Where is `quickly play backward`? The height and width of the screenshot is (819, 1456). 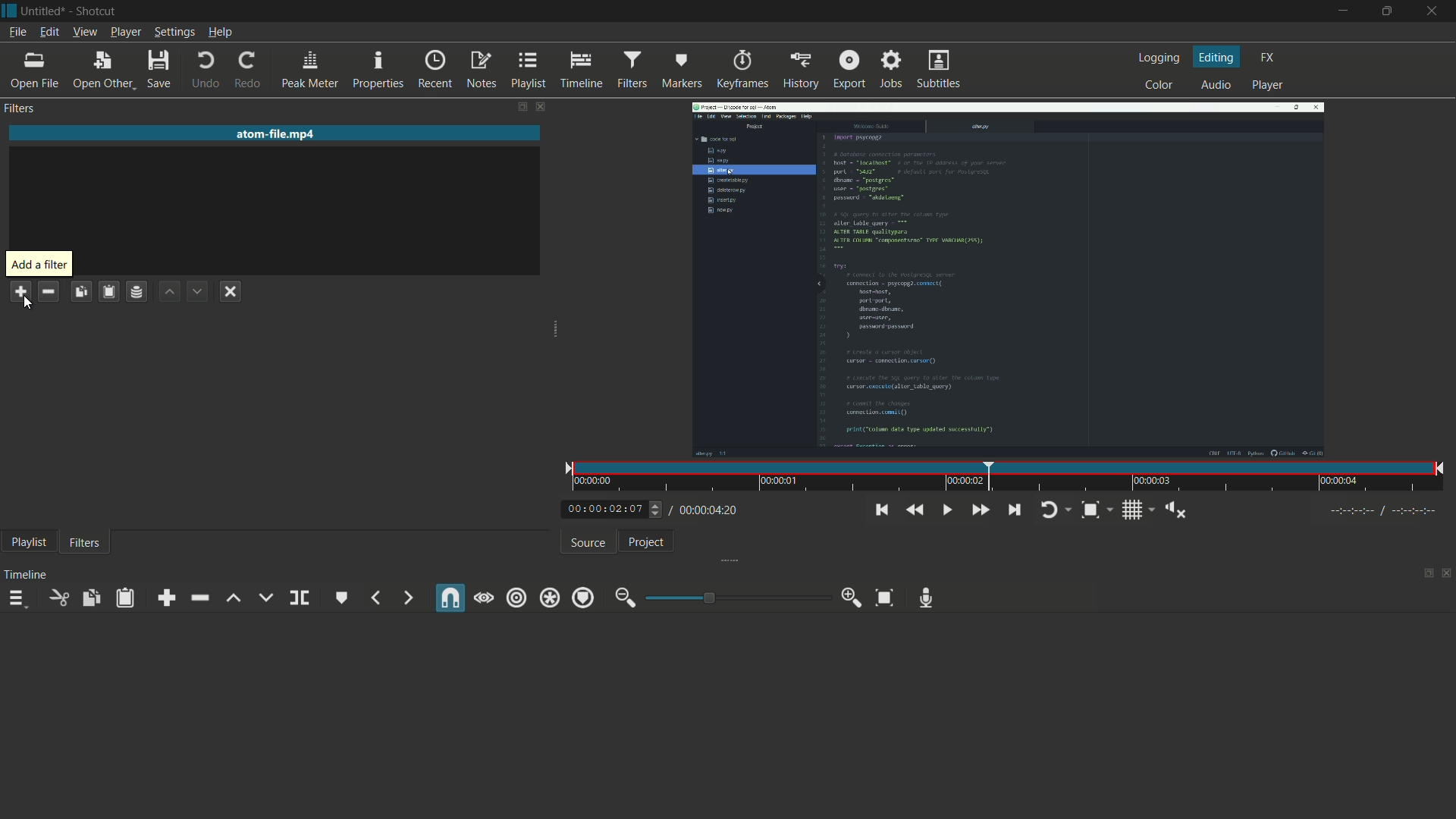
quickly play backward is located at coordinates (913, 510).